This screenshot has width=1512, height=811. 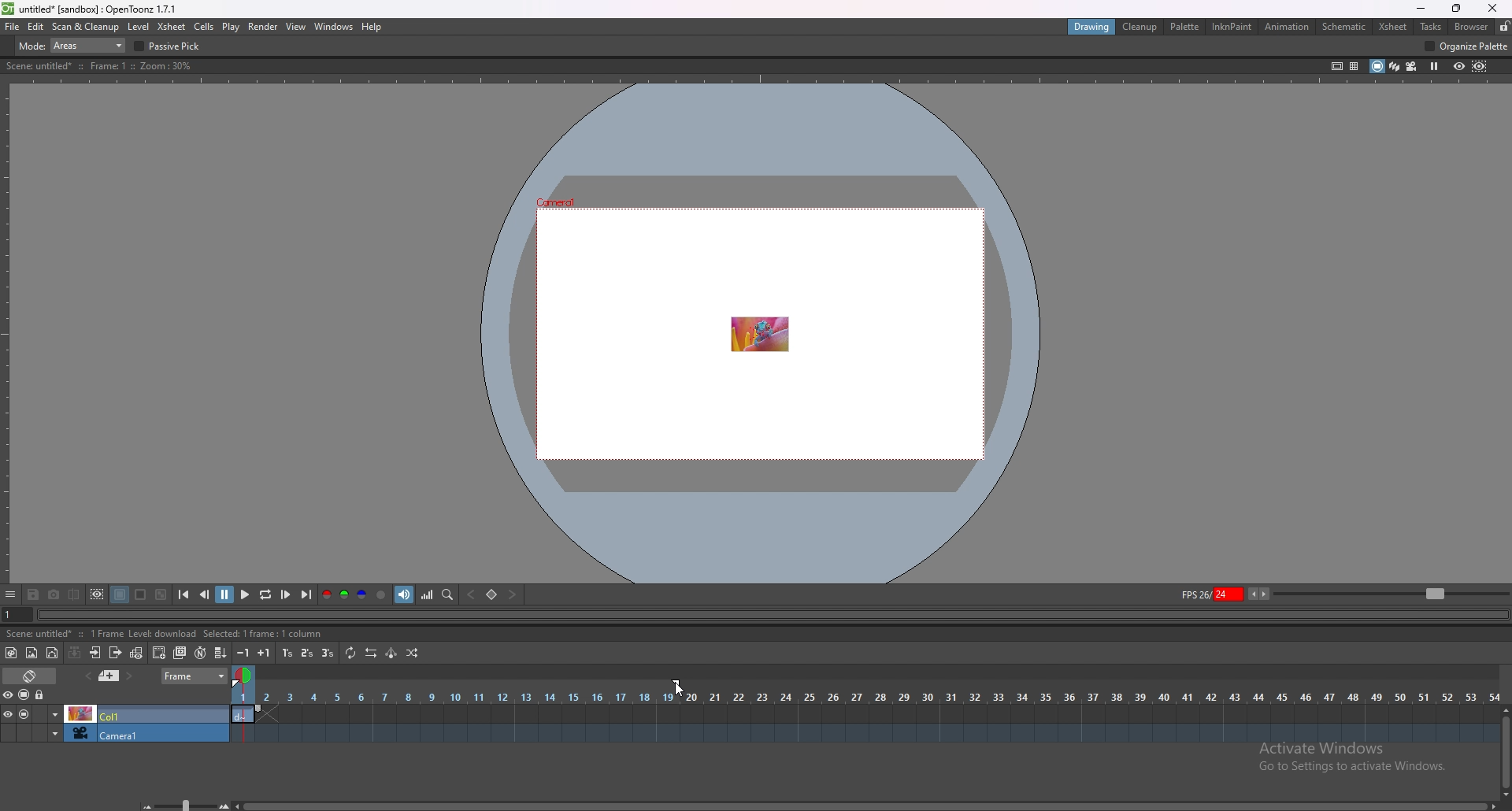 What do you see at coordinates (680, 683) in the screenshot?
I see `end frame` at bounding box center [680, 683].